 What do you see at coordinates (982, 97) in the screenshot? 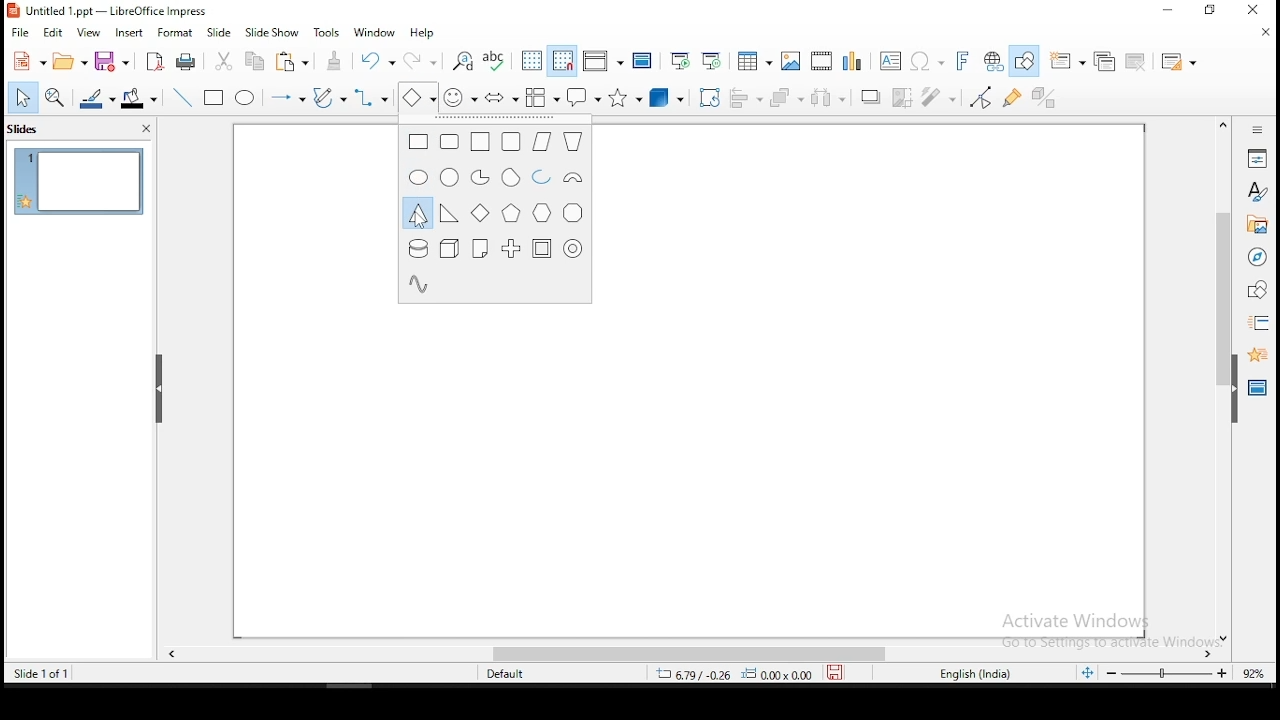
I see `toggle point edit mode` at bounding box center [982, 97].